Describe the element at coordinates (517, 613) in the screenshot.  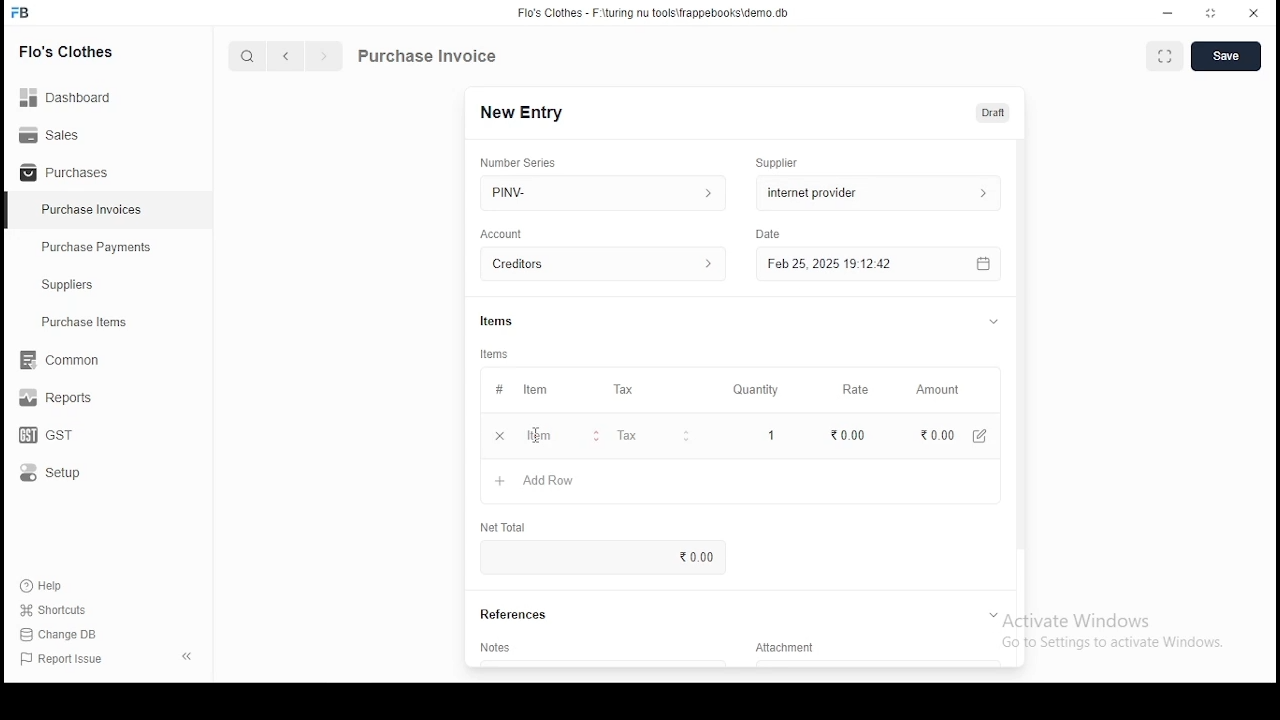
I see `references` at that location.